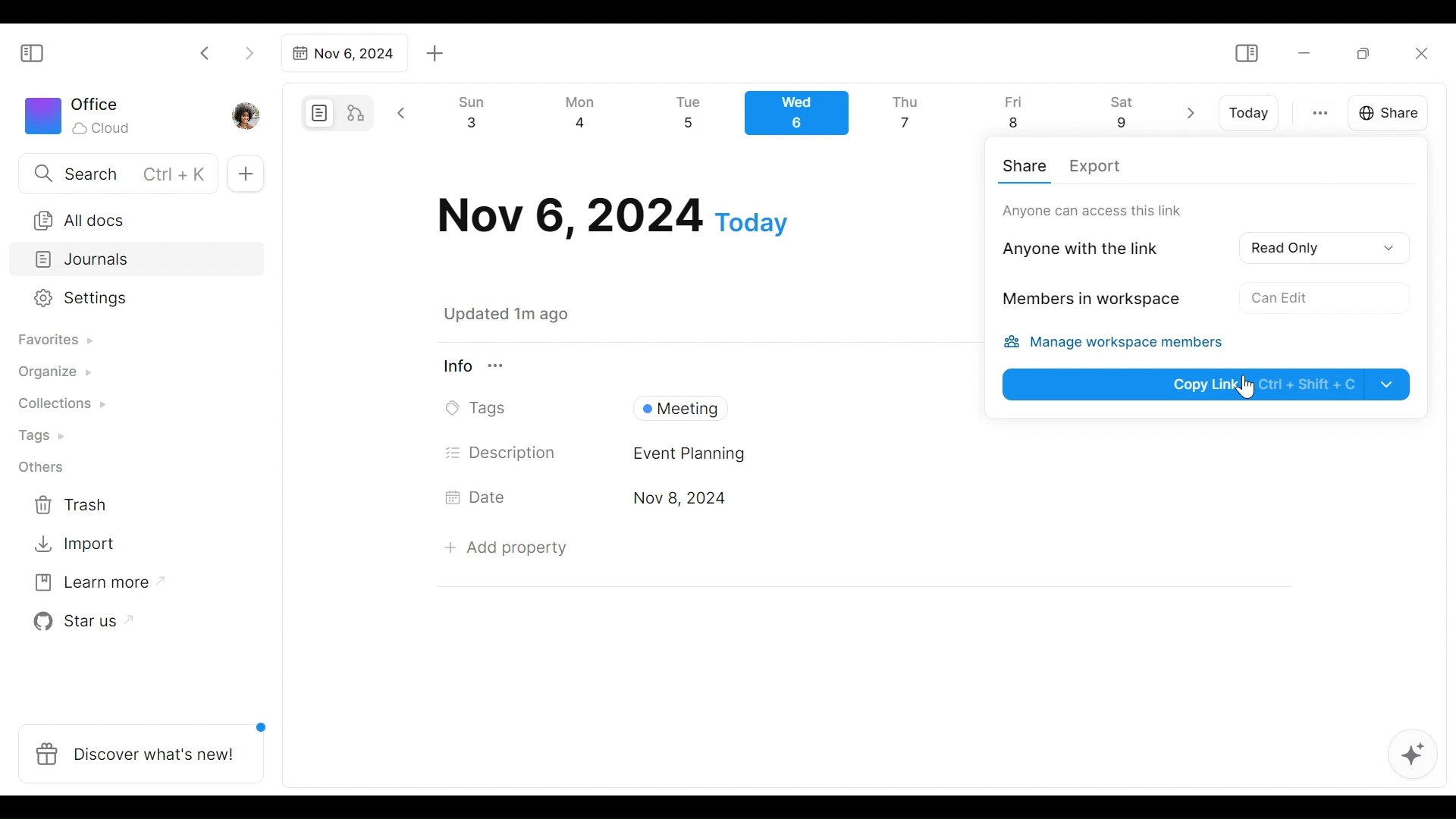 The height and width of the screenshot is (819, 1456). I want to click on Click to go forward, so click(249, 52).